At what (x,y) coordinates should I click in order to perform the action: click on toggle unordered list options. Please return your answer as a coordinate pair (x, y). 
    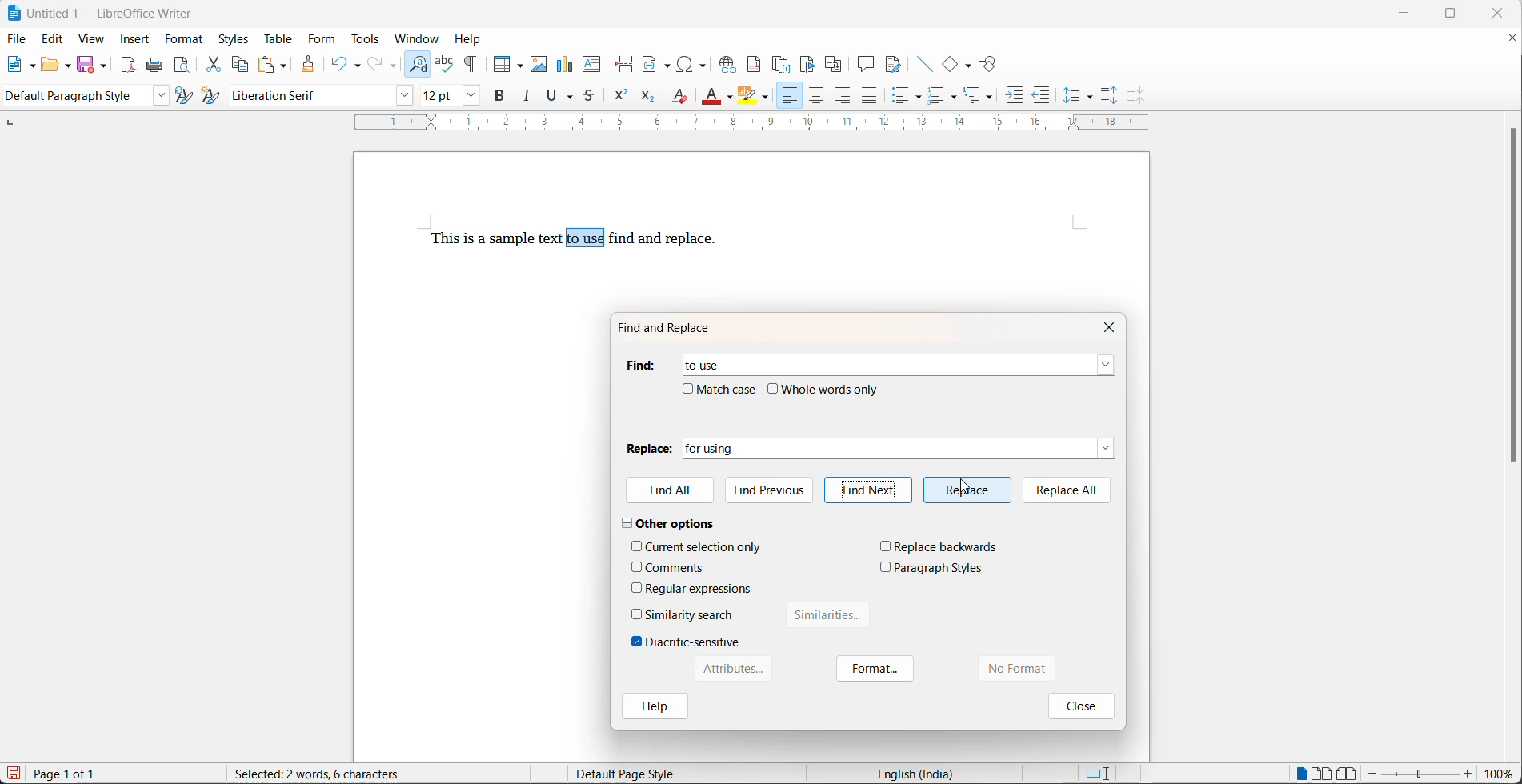
    Looking at the image, I should click on (920, 98).